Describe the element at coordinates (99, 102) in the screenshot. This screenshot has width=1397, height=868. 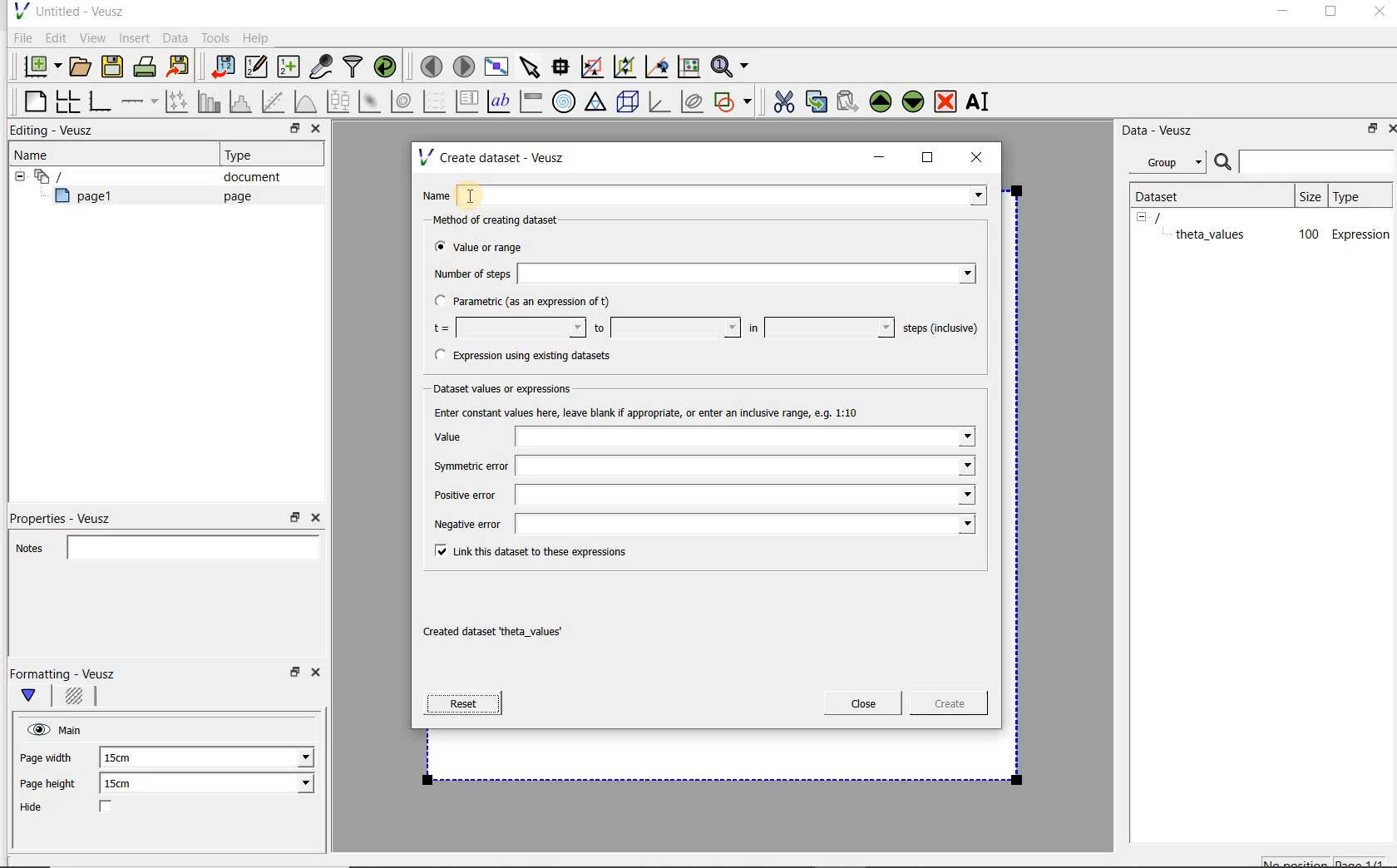
I see `base graph` at that location.